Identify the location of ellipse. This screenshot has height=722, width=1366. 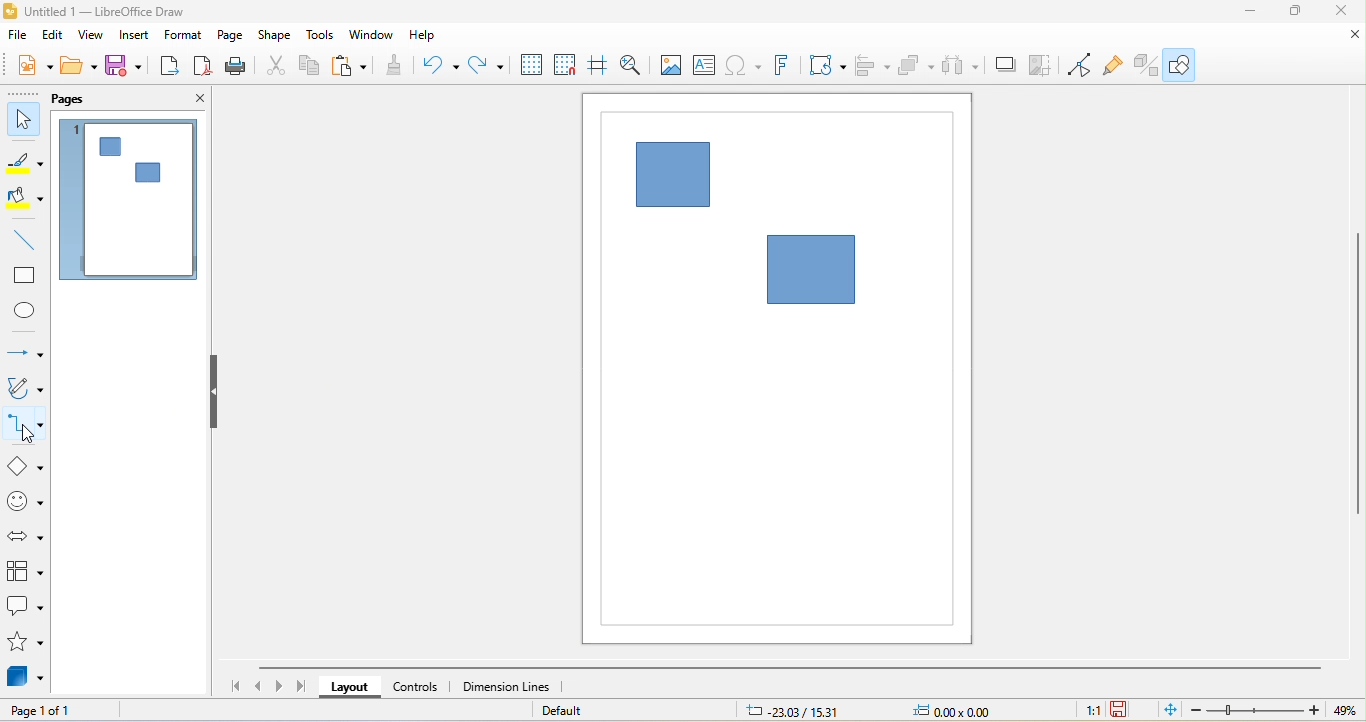
(24, 311).